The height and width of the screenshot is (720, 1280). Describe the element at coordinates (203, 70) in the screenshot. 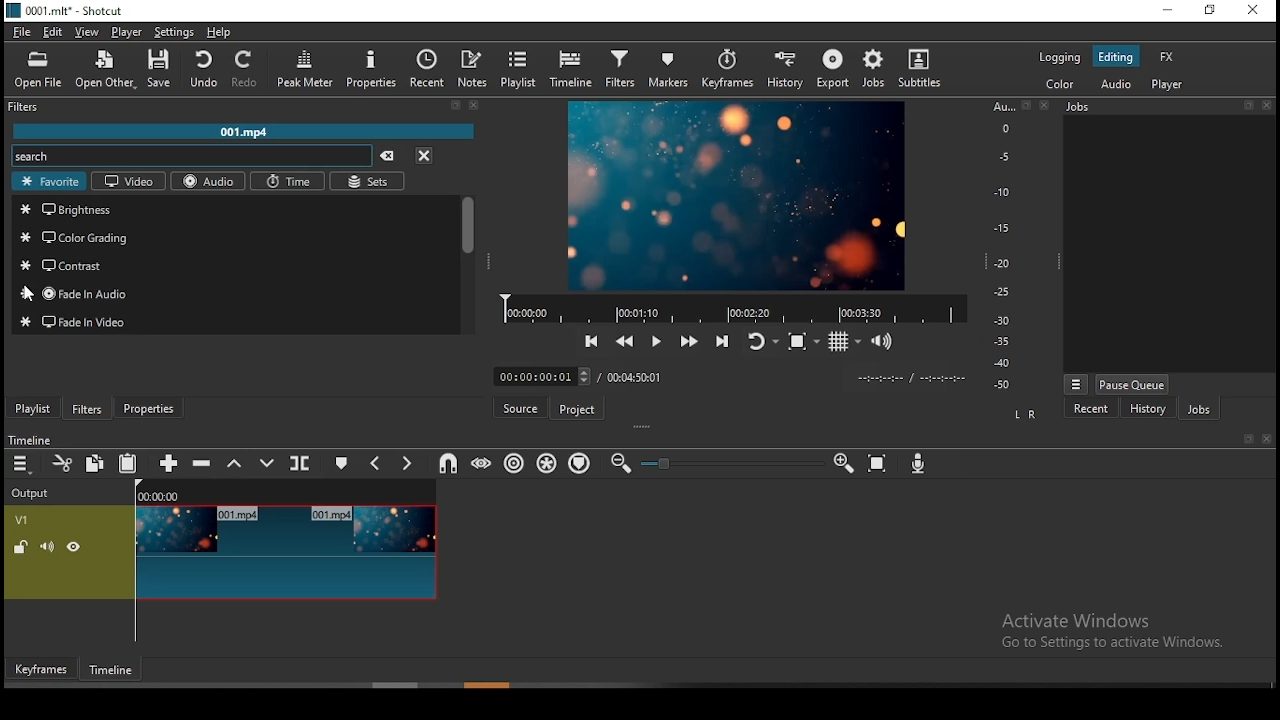

I see `undo` at that location.